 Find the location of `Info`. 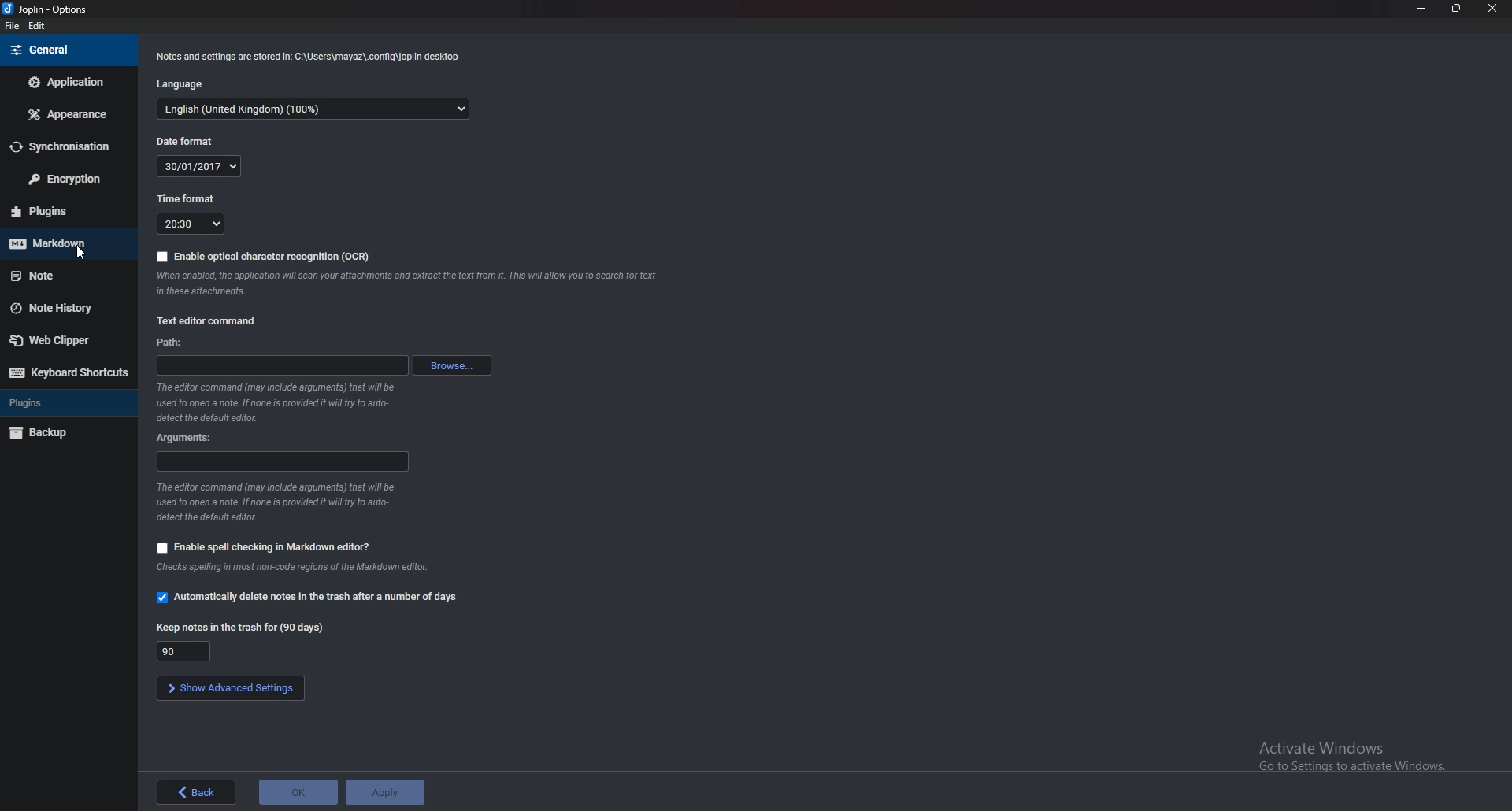

Info is located at coordinates (276, 501).